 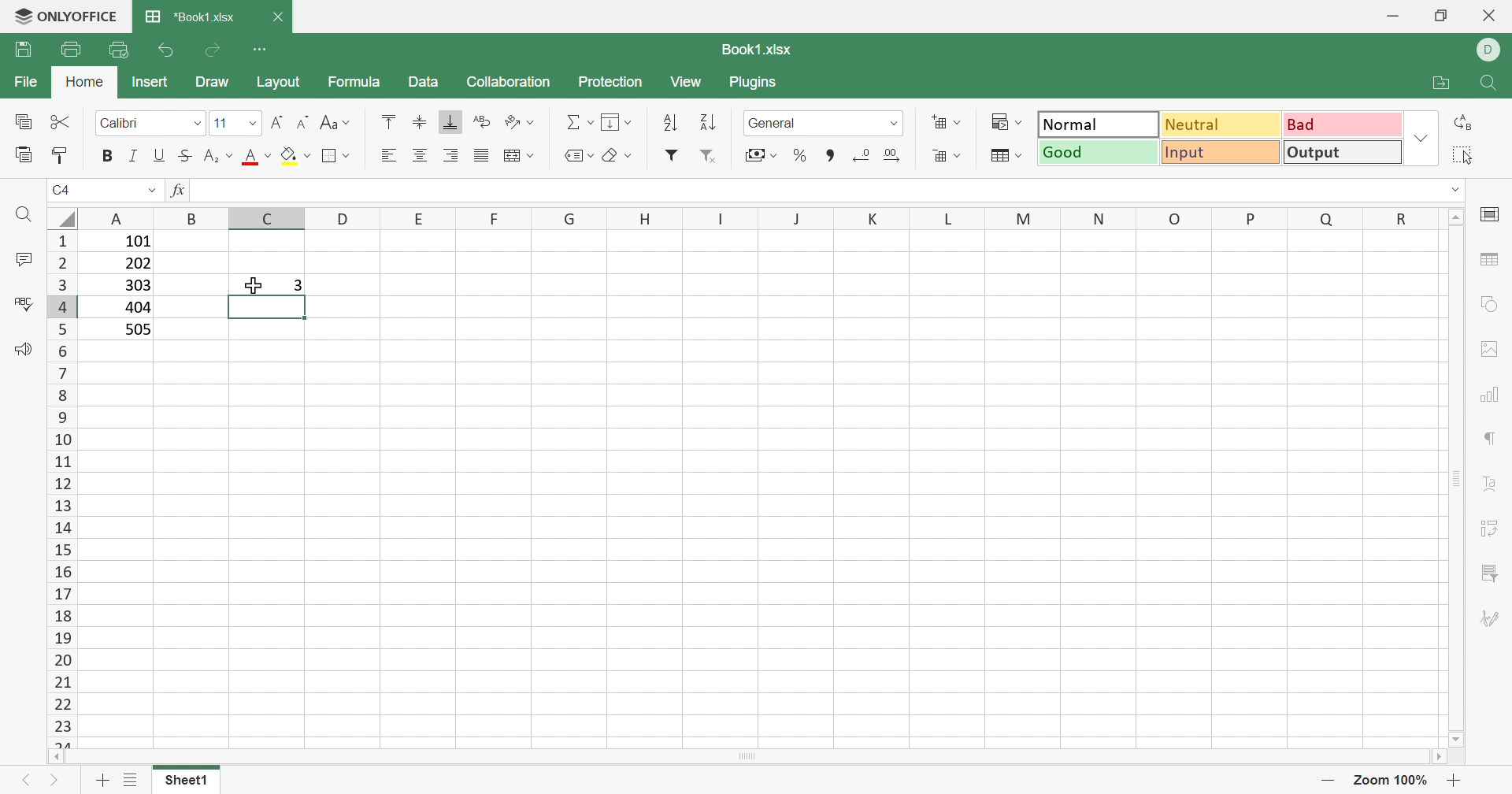 What do you see at coordinates (708, 157) in the screenshot?
I see `Remove Filter` at bounding box center [708, 157].